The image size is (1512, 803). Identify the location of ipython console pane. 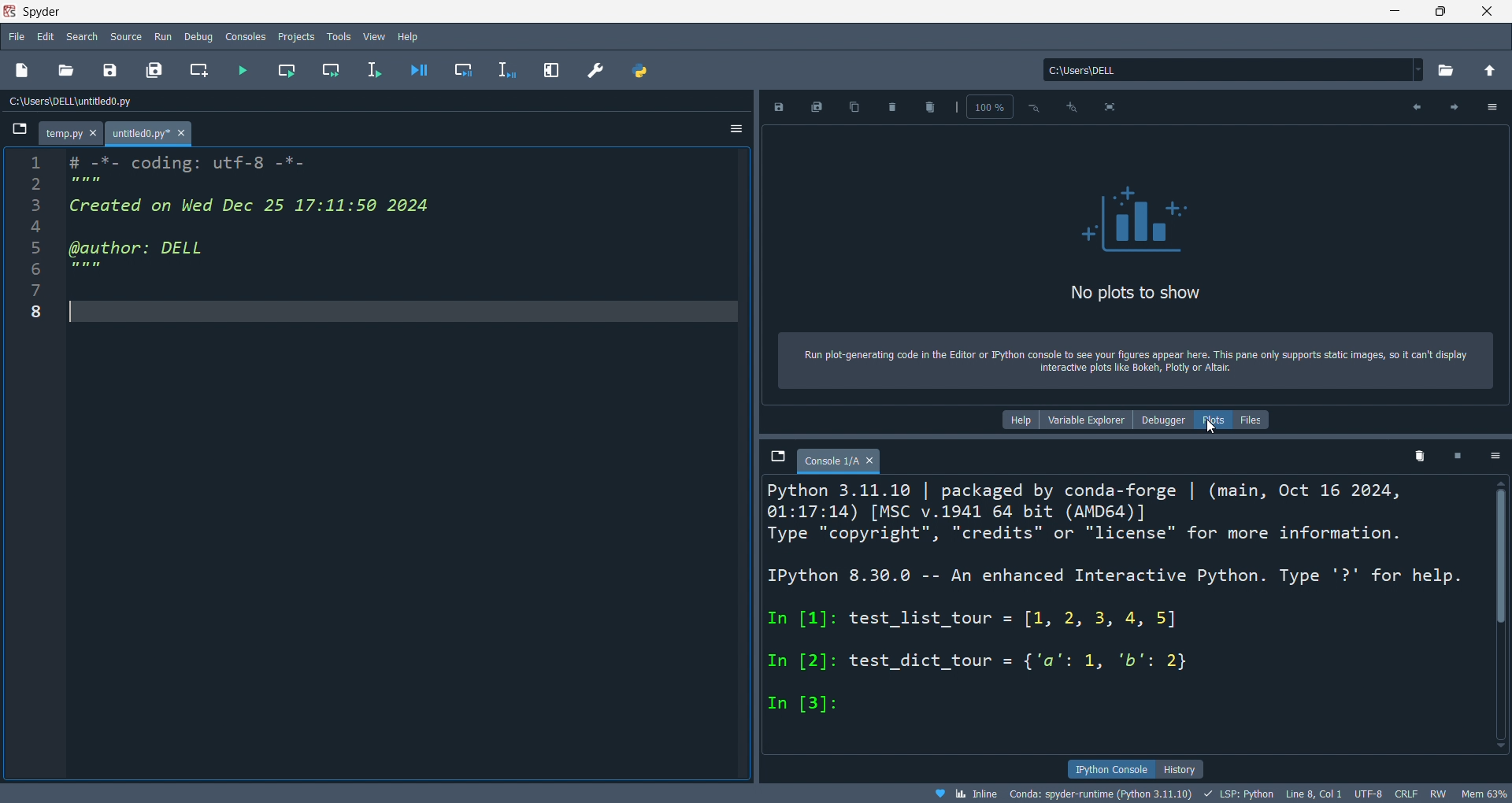
(1126, 617).